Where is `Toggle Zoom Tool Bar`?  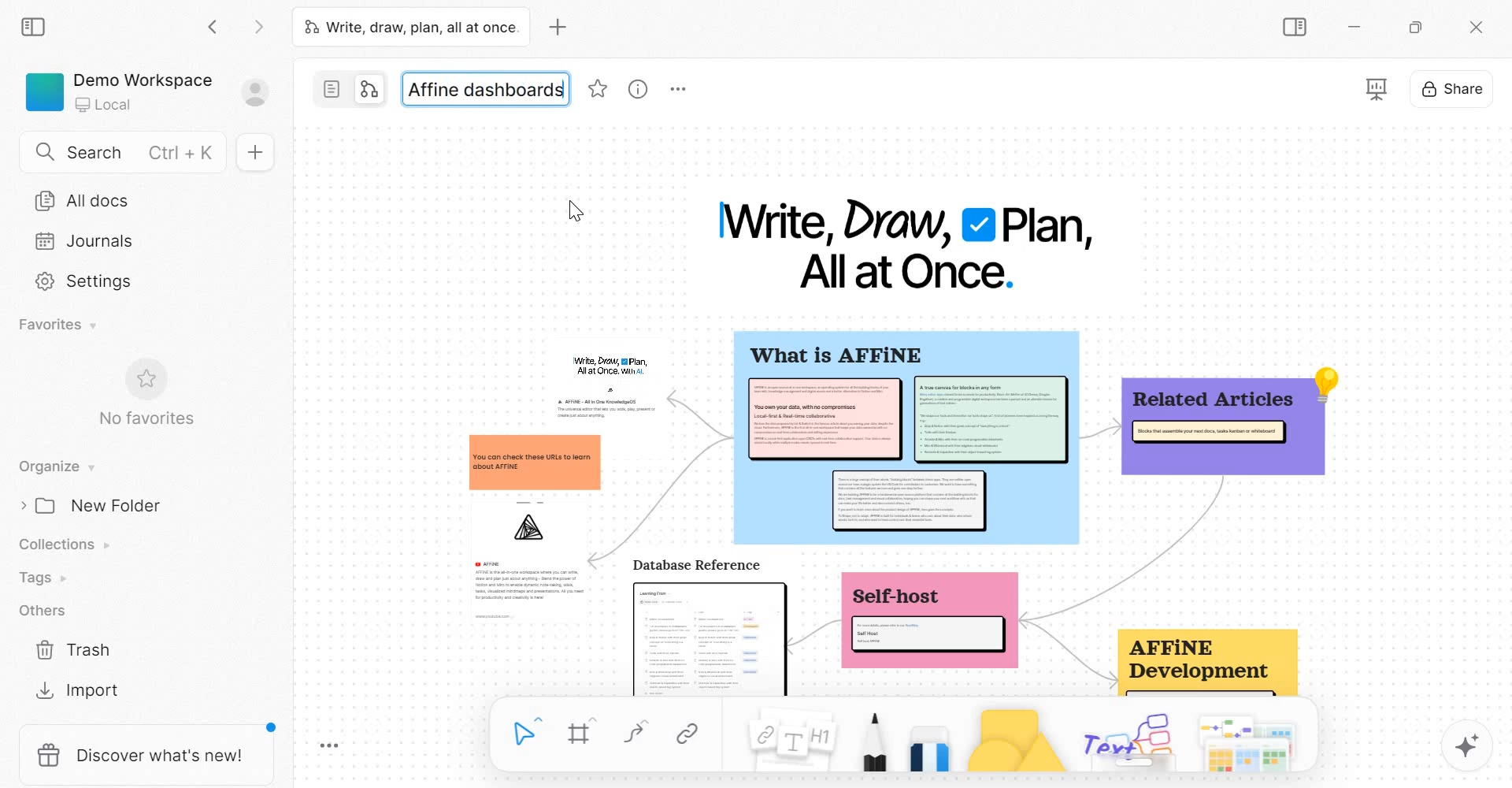 Toggle Zoom Tool Bar is located at coordinates (327, 745).